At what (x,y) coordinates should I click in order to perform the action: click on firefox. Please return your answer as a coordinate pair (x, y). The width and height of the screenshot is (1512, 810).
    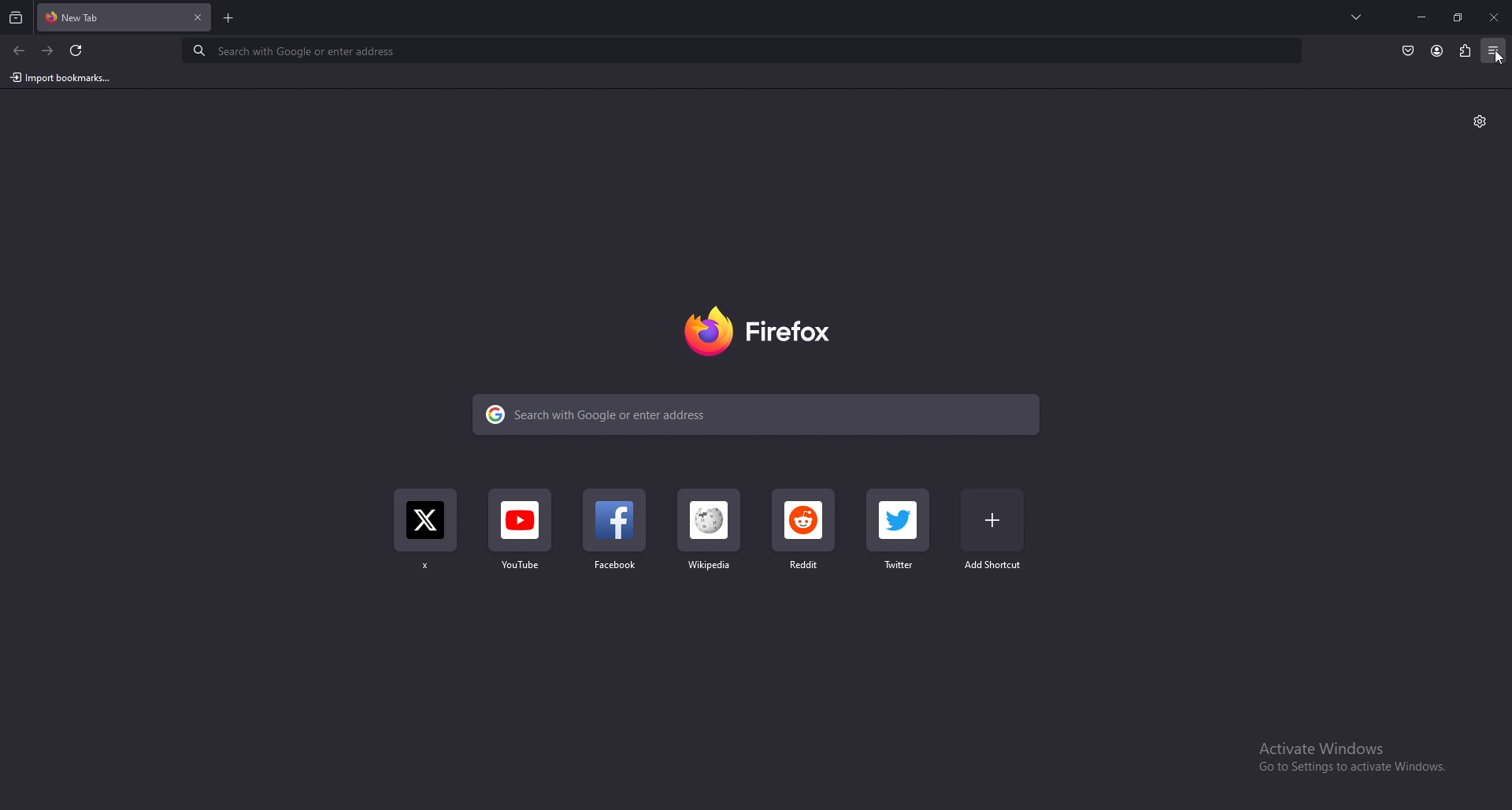
    Looking at the image, I should click on (762, 332).